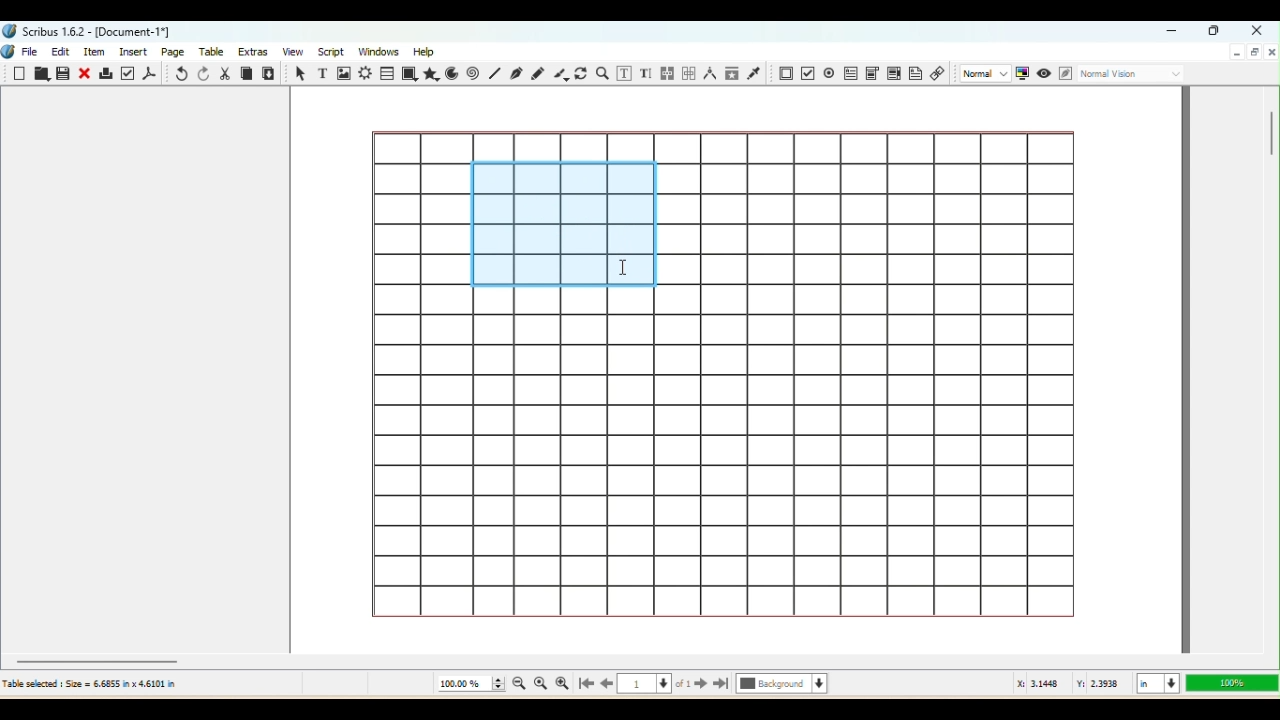  I want to click on : 1.8413 Y: 1.5099, so click(1070, 685).